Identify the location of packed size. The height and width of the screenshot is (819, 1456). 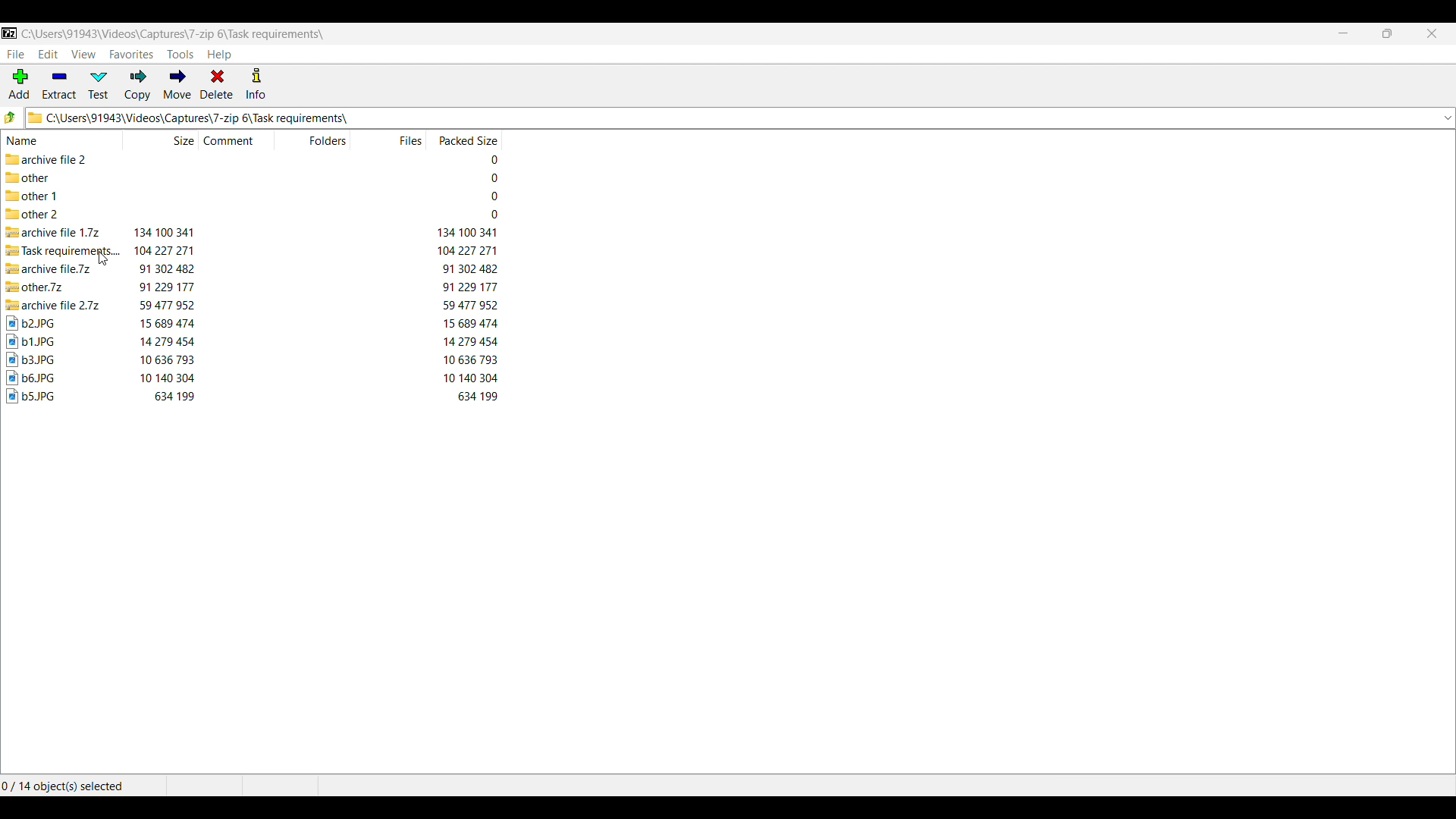
(465, 378).